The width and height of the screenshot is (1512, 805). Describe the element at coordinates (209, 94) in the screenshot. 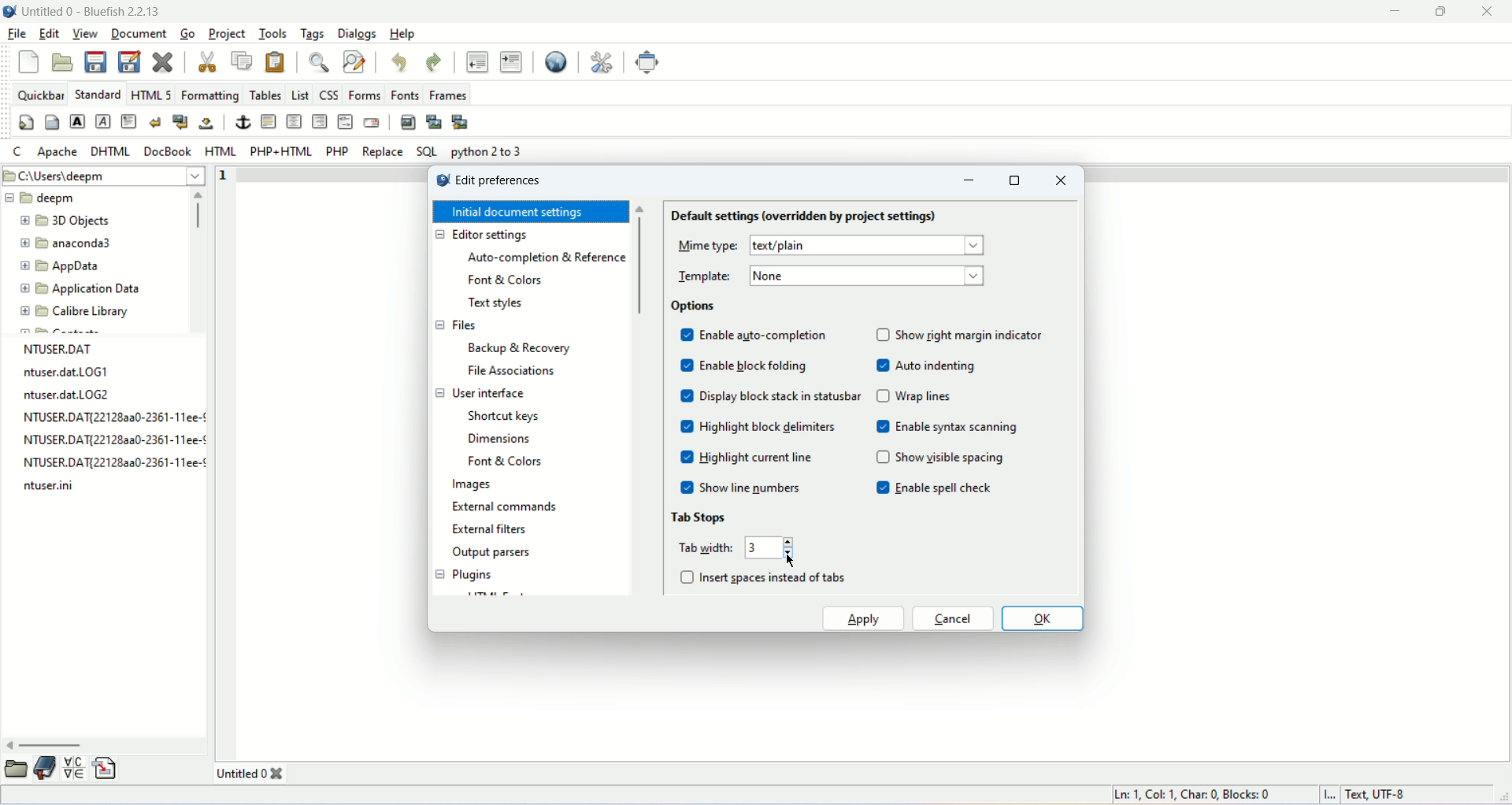

I see `formatting` at that location.